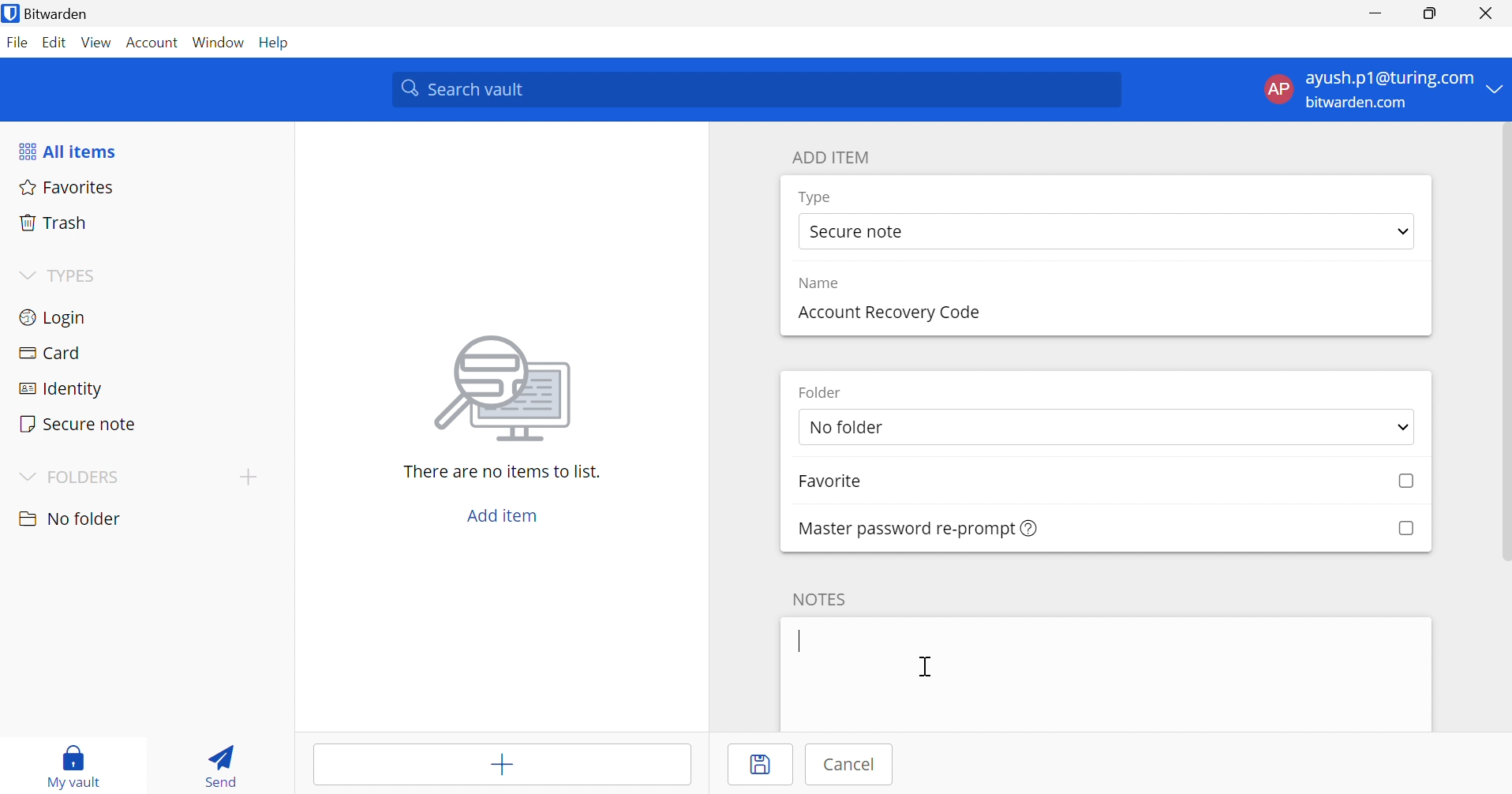 This screenshot has width=1512, height=794. What do you see at coordinates (1276, 88) in the screenshot?
I see `AP` at bounding box center [1276, 88].